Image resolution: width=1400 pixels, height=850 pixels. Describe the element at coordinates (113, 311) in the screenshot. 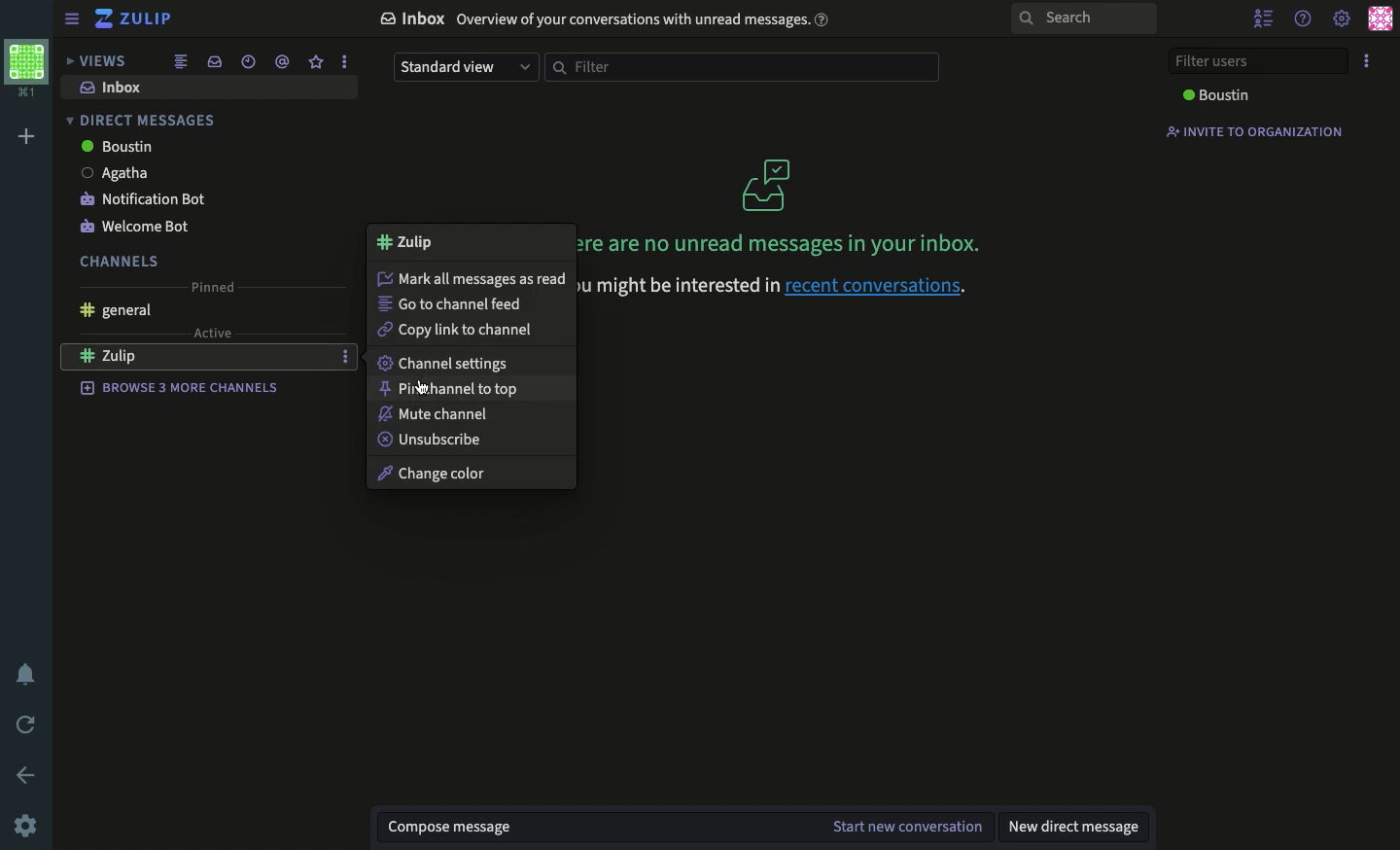

I see `general` at that location.